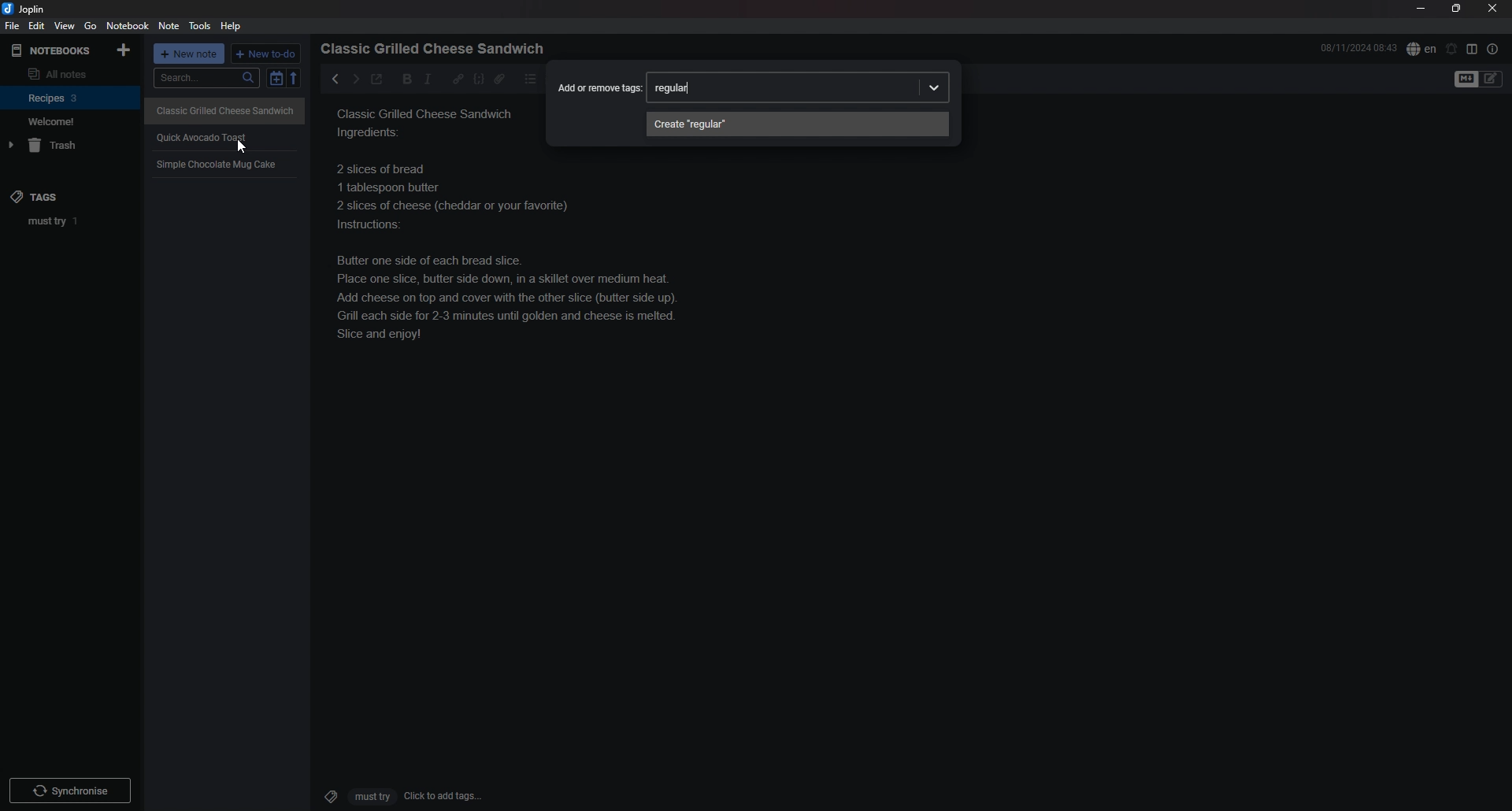 This screenshot has width=1512, height=811. What do you see at coordinates (226, 109) in the screenshot?
I see `Classic Grilled Cheese Sandwich` at bounding box center [226, 109].